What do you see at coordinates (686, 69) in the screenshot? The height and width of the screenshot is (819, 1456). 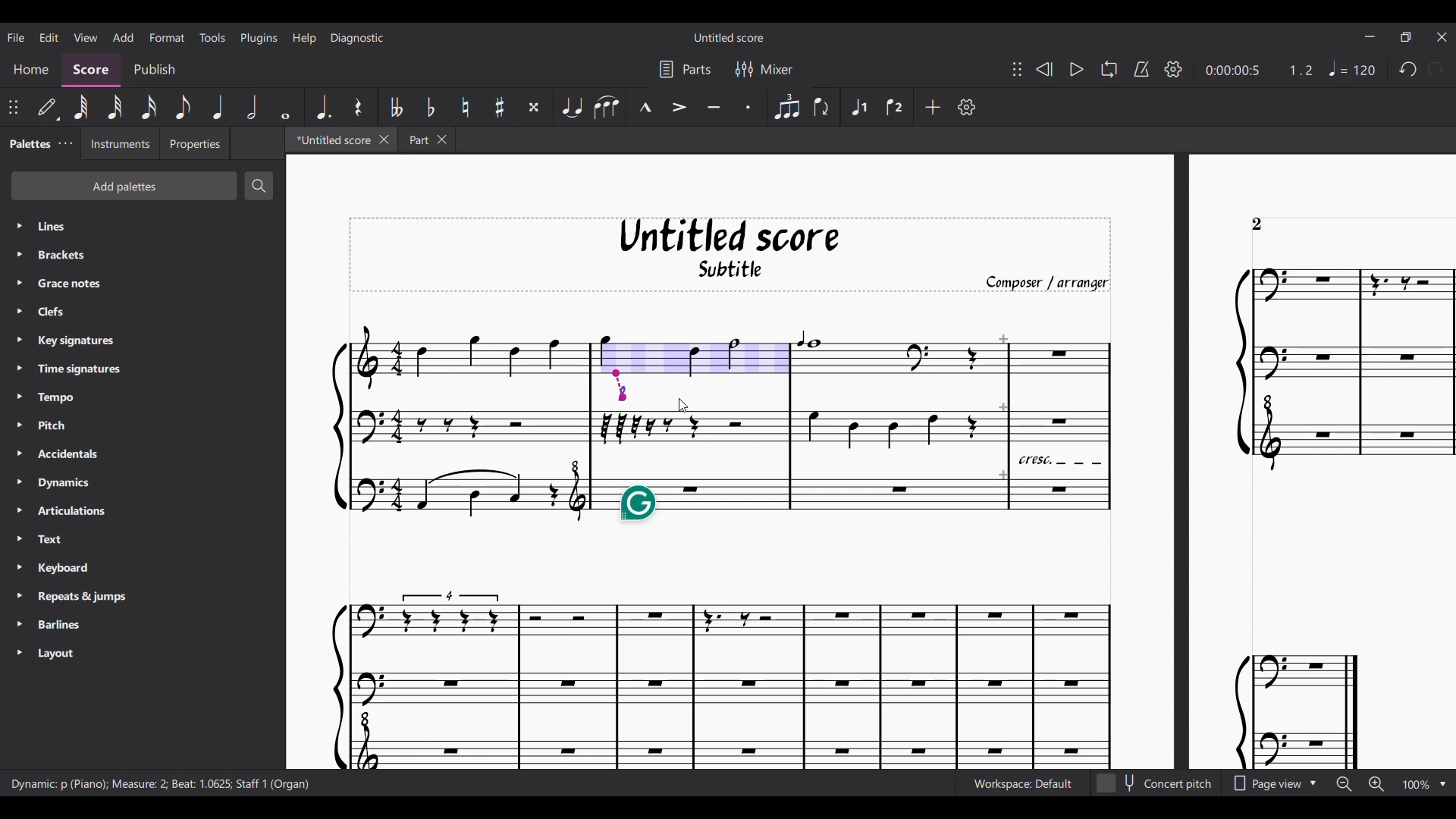 I see `Parts settings` at bounding box center [686, 69].